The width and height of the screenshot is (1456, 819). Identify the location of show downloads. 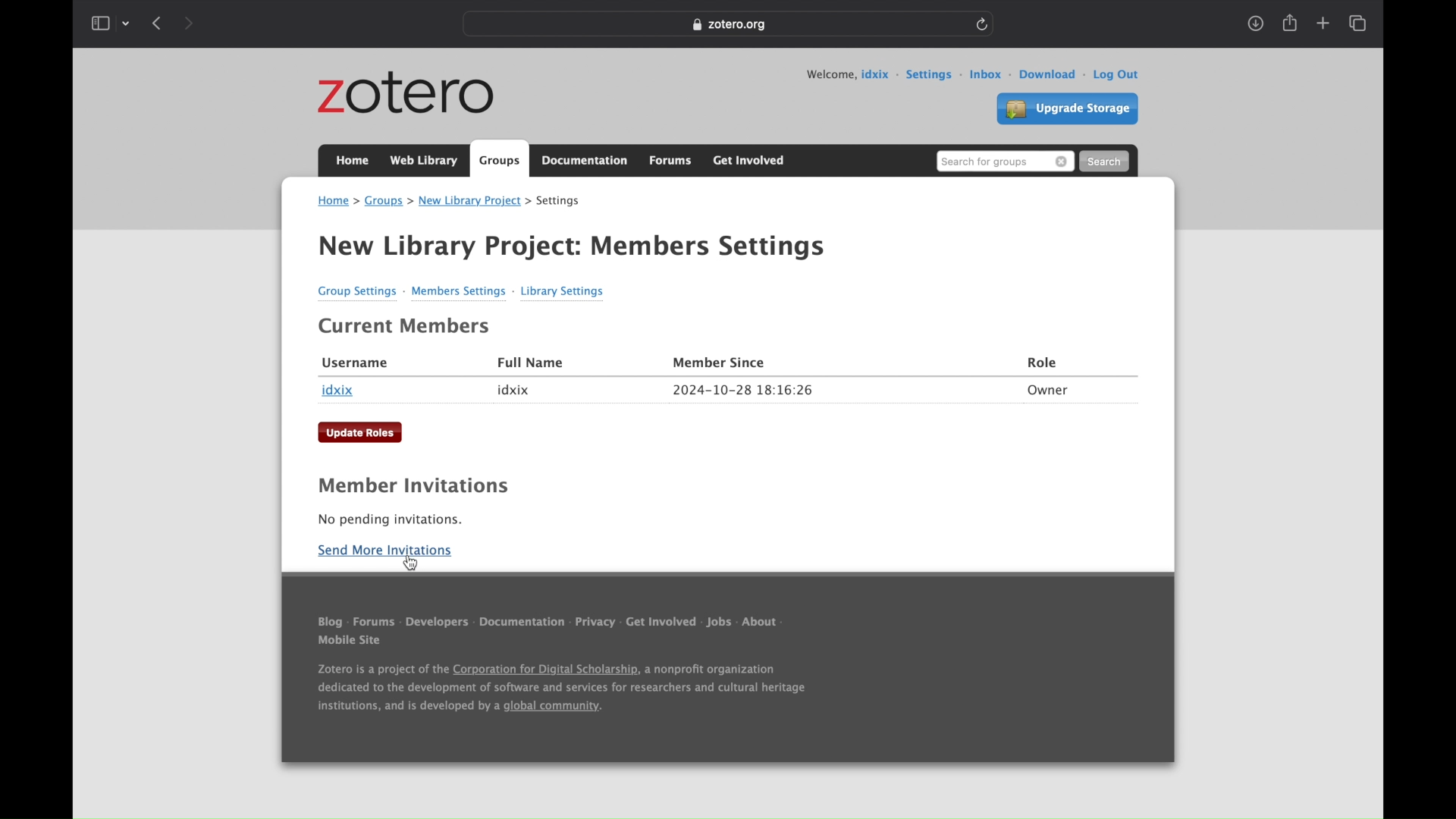
(1254, 24).